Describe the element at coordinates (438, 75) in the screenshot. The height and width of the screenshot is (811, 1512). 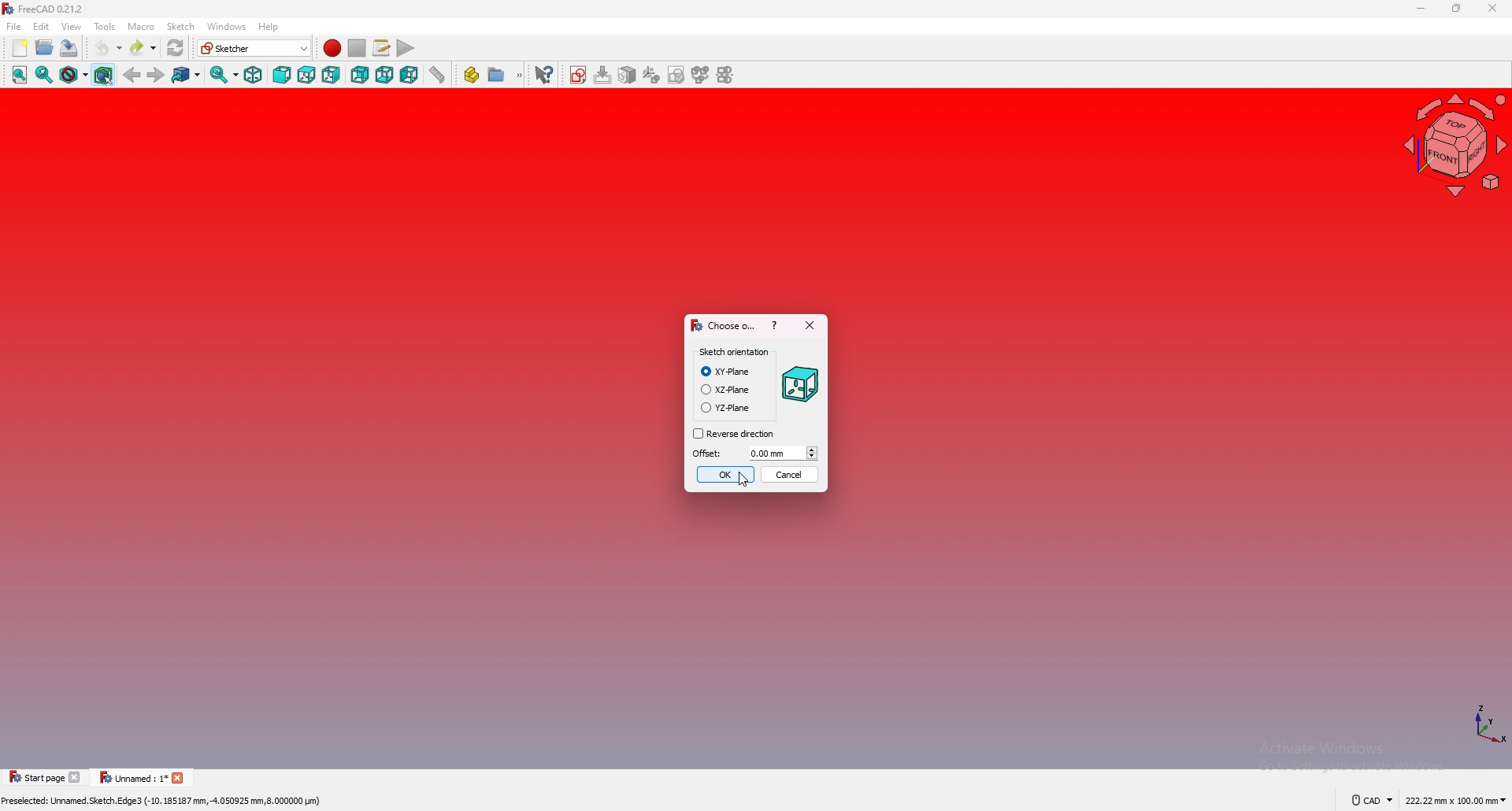
I see `measure distance` at that location.